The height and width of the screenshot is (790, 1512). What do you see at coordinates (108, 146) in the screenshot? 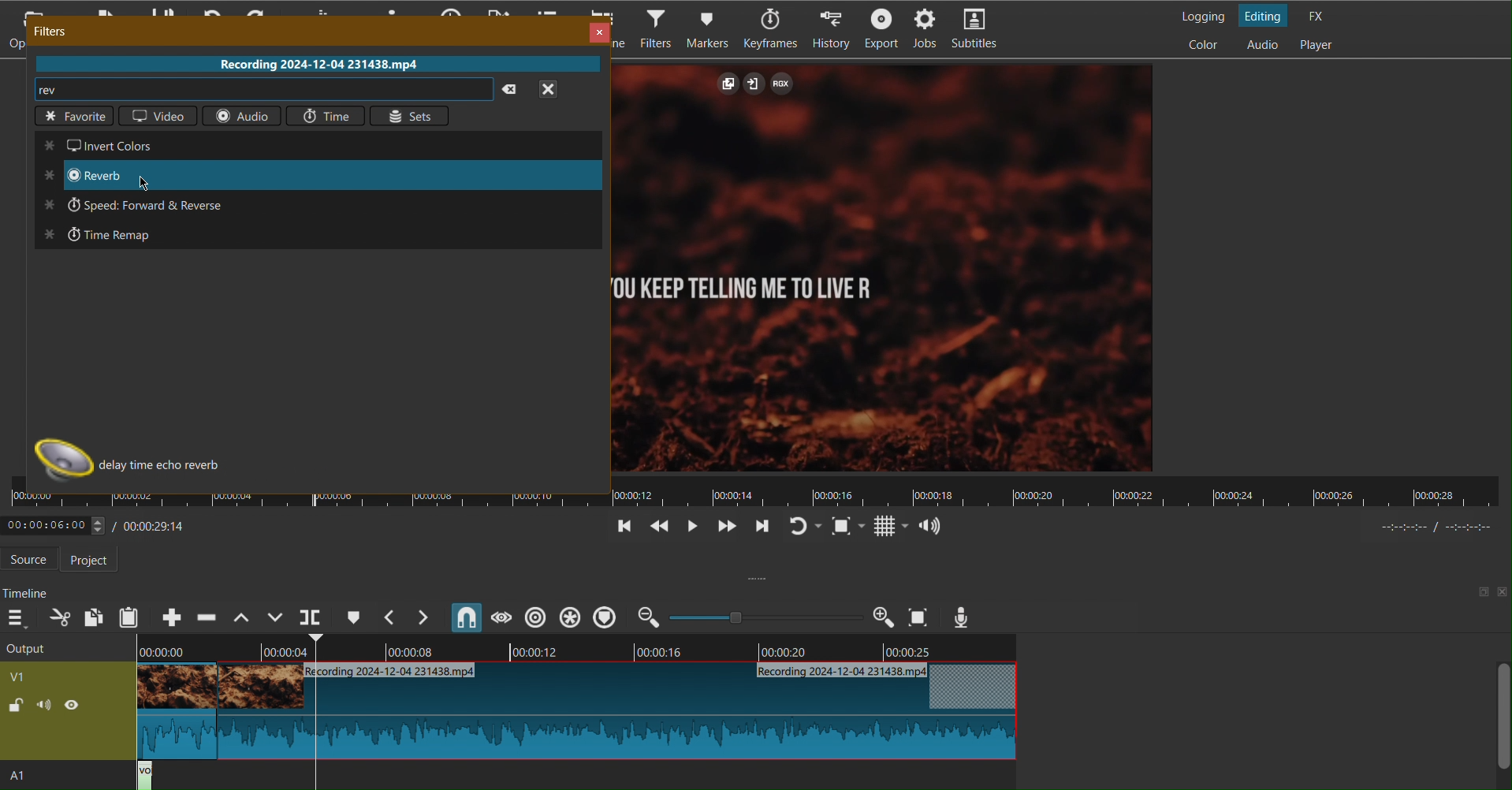
I see `Invert Colors` at bounding box center [108, 146].